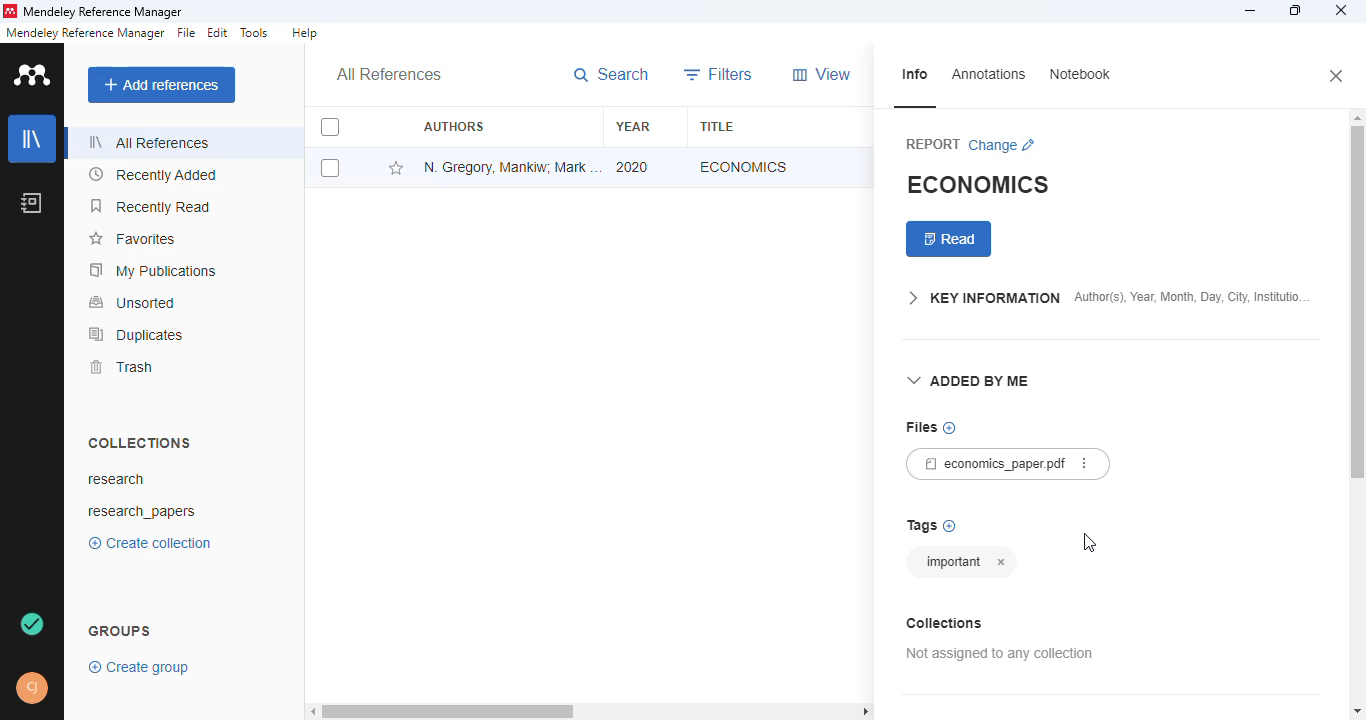 This screenshot has height=720, width=1366. What do you see at coordinates (920, 427) in the screenshot?
I see `files` at bounding box center [920, 427].